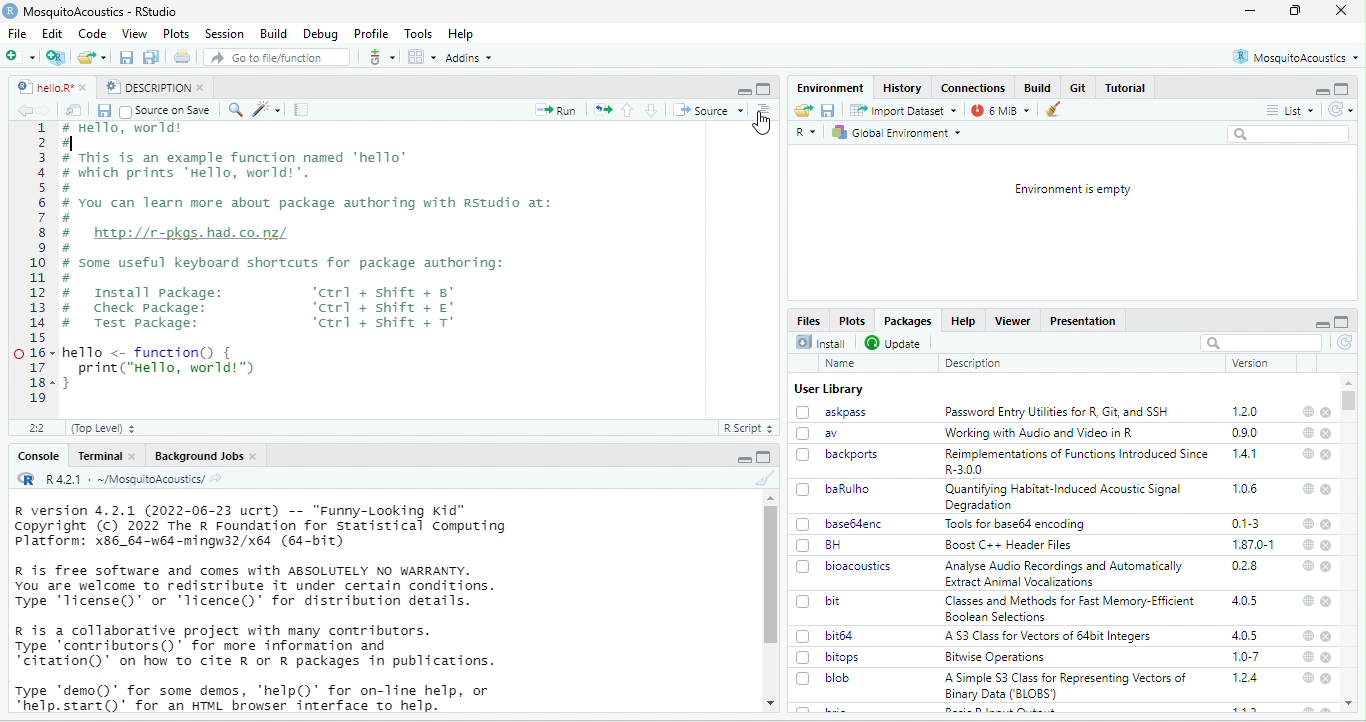 This screenshot has width=1366, height=722. I want to click on ‘A 53 Class for Vectors of 64bit Integers, so click(1052, 636).